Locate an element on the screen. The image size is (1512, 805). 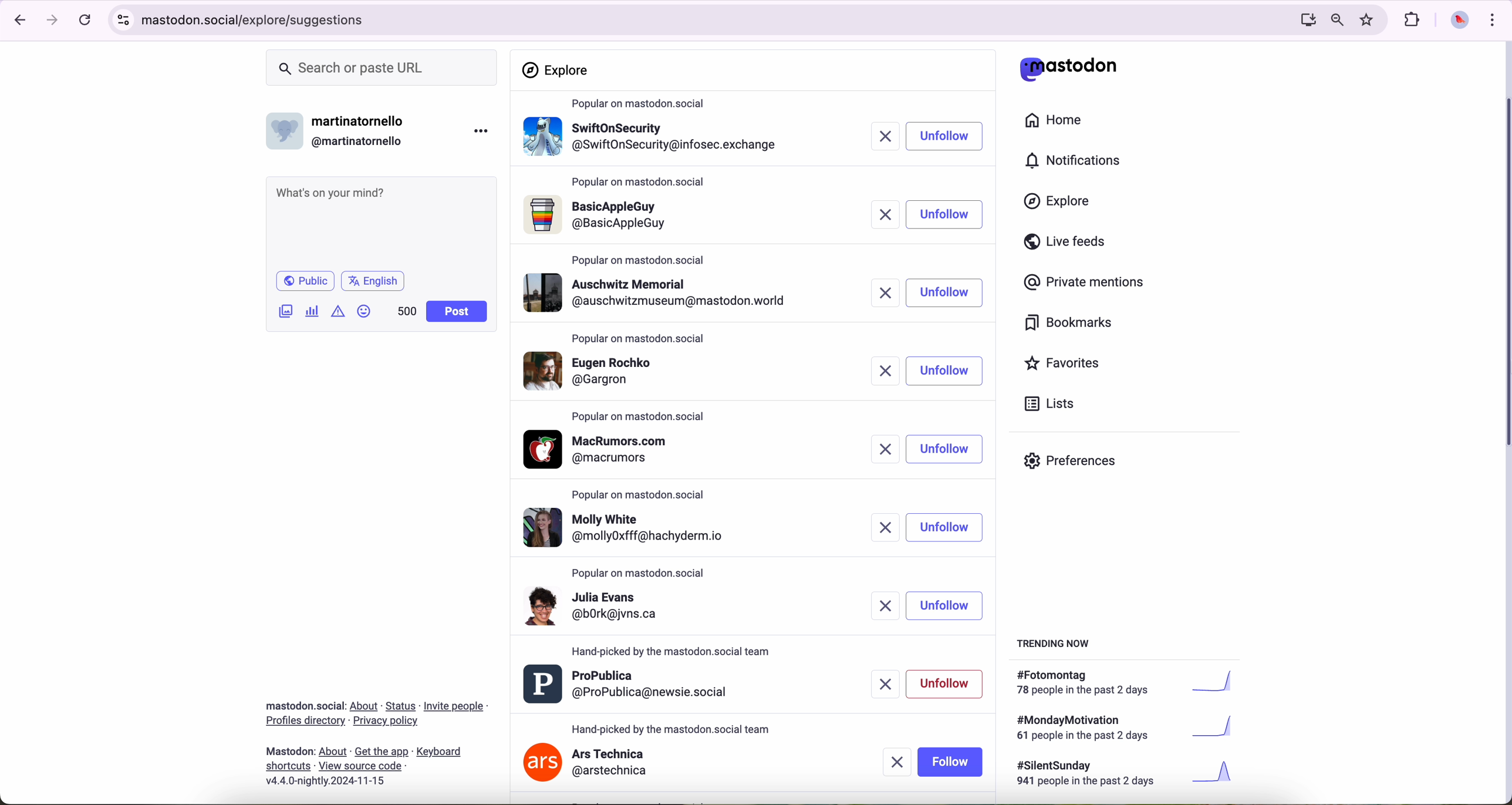
computer is located at coordinates (1303, 19).